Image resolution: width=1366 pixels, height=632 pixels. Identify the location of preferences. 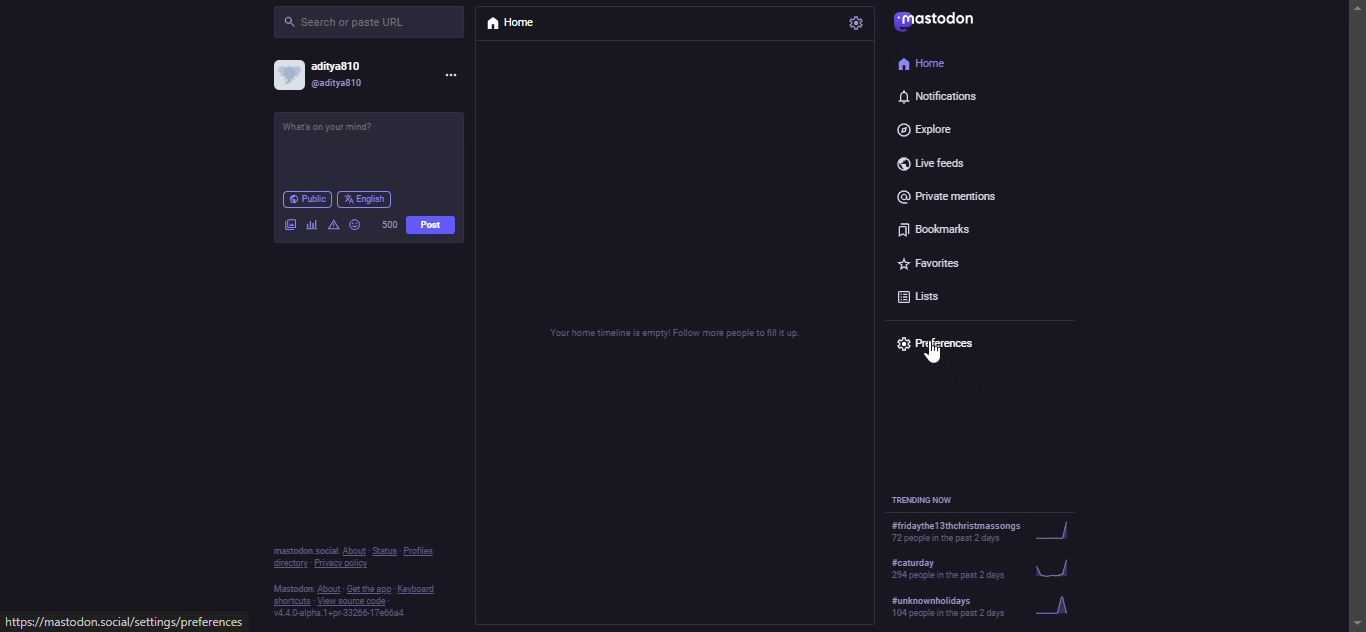
(937, 343).